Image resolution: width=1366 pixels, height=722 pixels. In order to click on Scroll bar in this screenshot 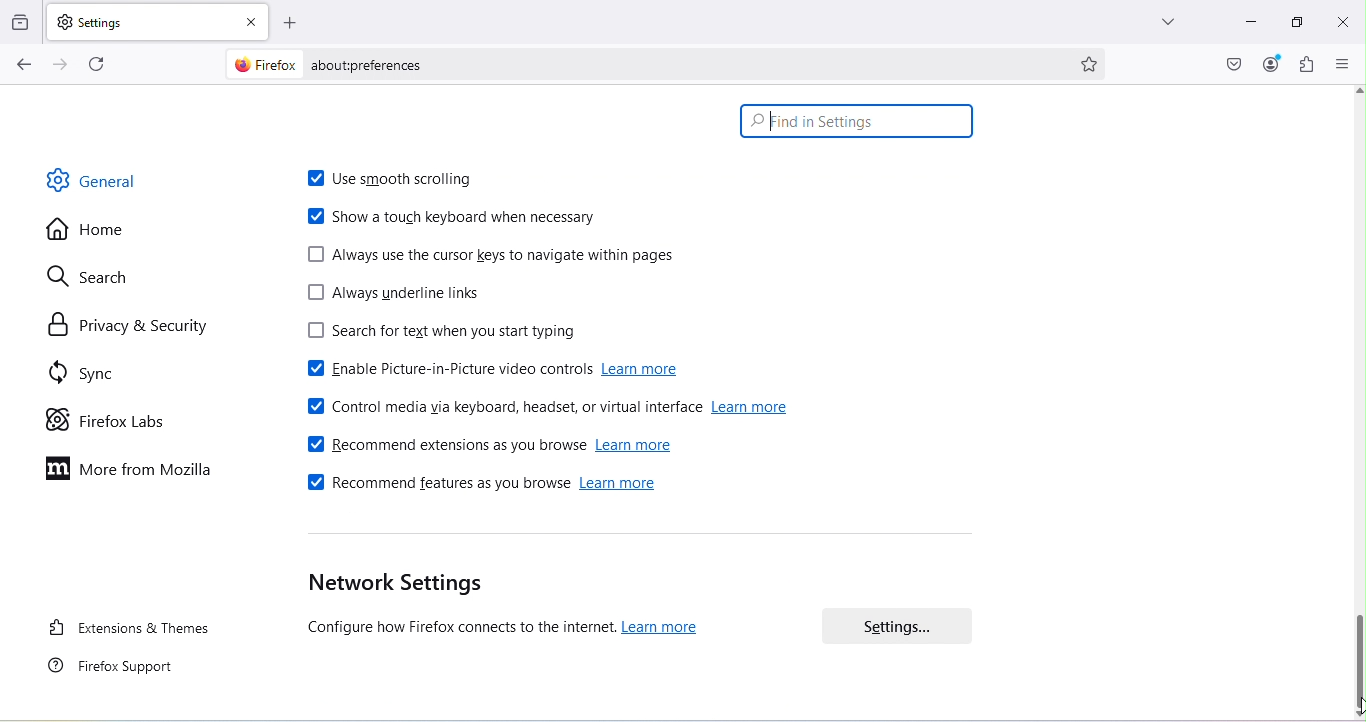, I will do `click(1358, 658)`.